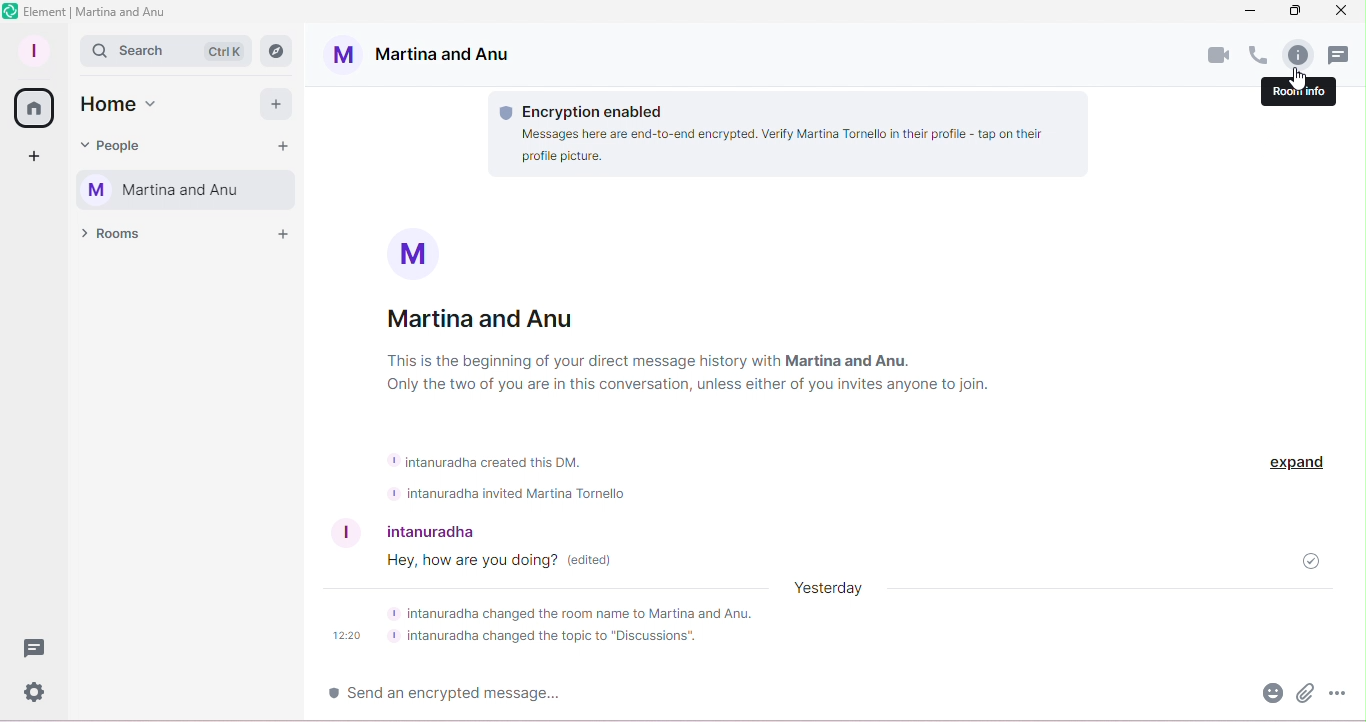 This screenshot has width=1366, height=722. What do you see at coordinates (1296, 82) in the screenshot?
I see `Pointer` at bounding box center [1296, 82].